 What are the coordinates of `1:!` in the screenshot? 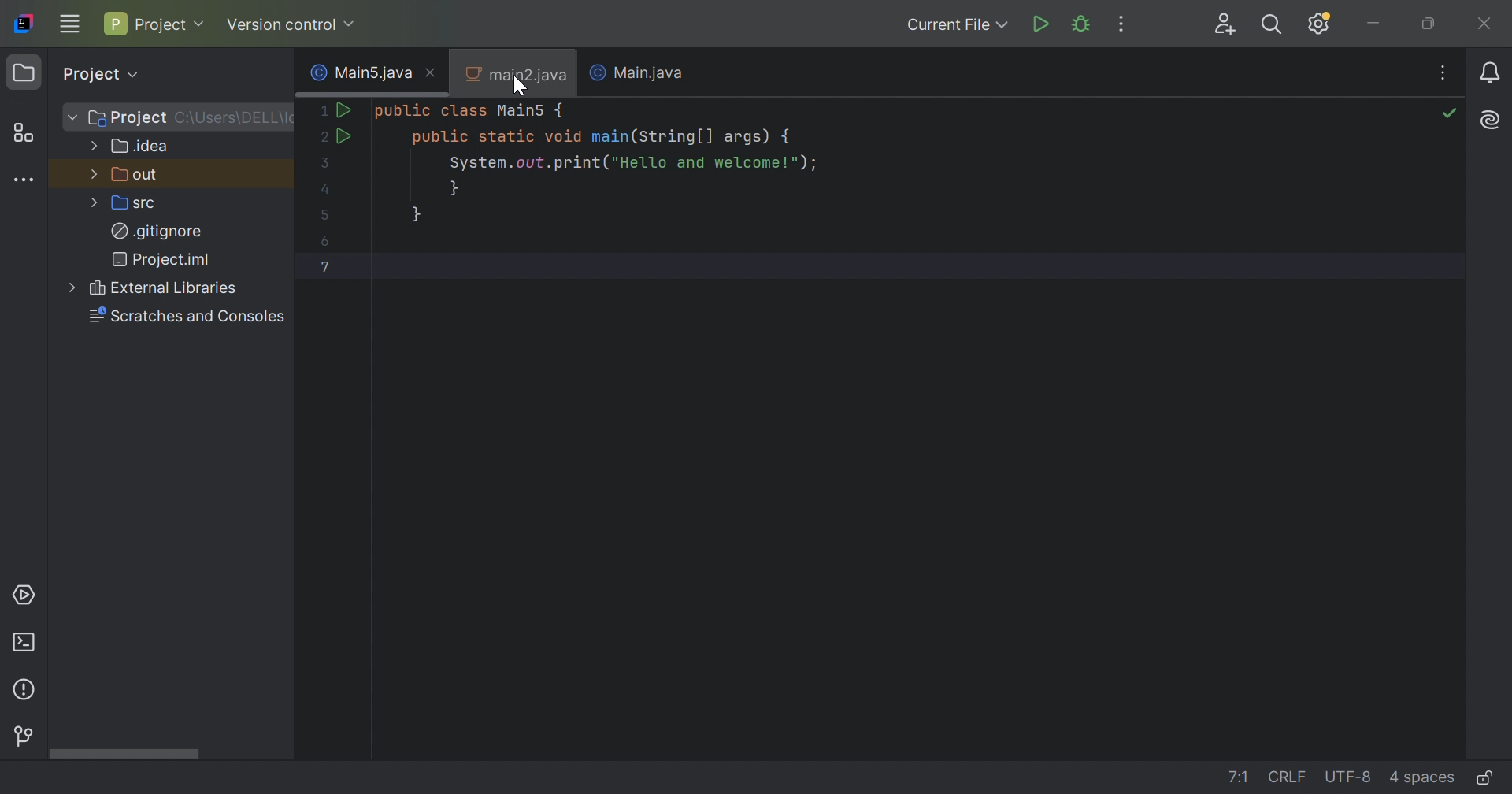 It's located at (1245, 780).